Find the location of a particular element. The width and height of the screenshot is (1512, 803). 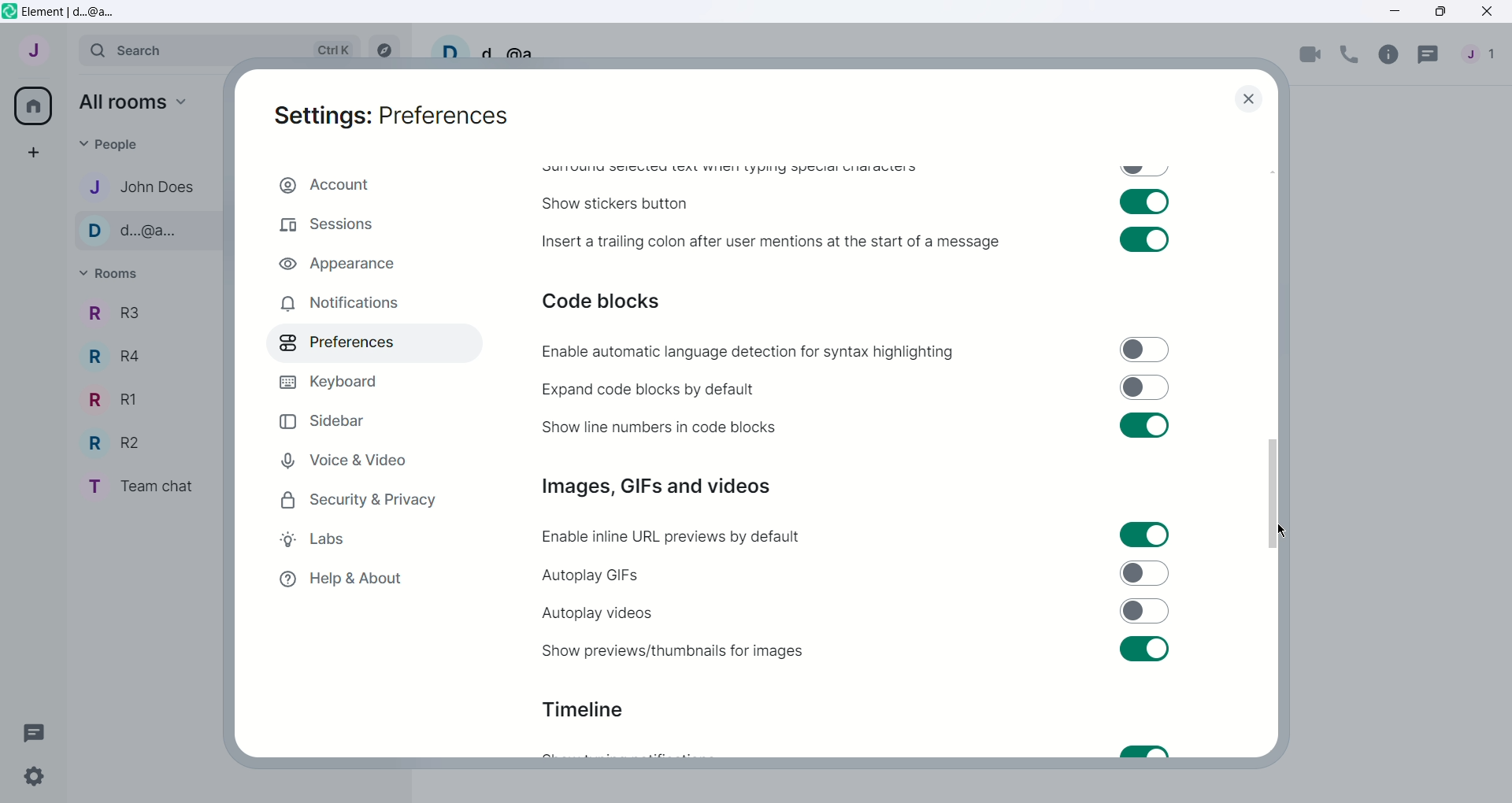

Toggle switch on for enable inline URL previews by default is located at coordinates (1145, 534).